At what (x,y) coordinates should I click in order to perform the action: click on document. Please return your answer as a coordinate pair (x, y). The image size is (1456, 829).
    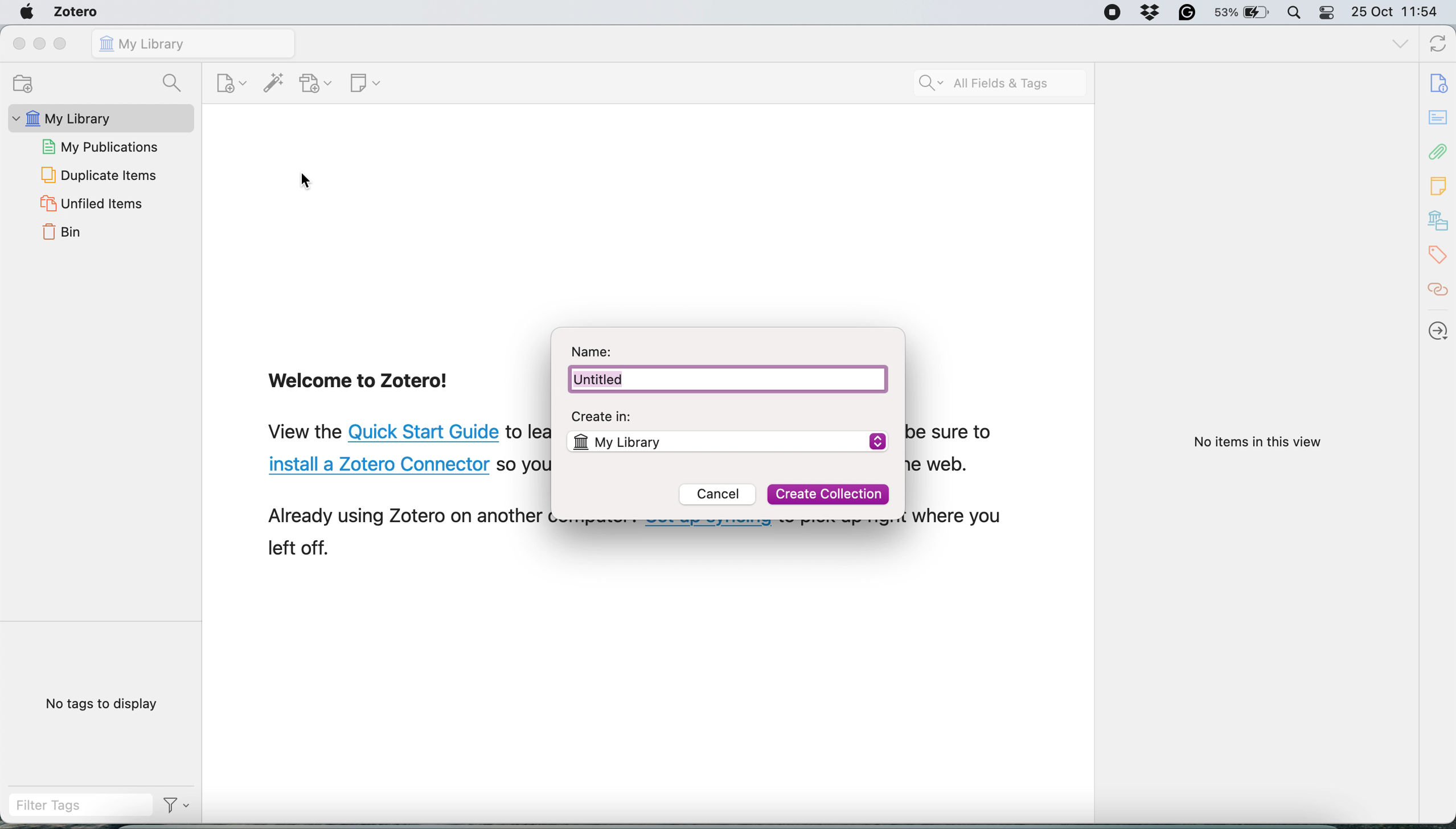
    Looking at the image, I should click on (1441, 84).